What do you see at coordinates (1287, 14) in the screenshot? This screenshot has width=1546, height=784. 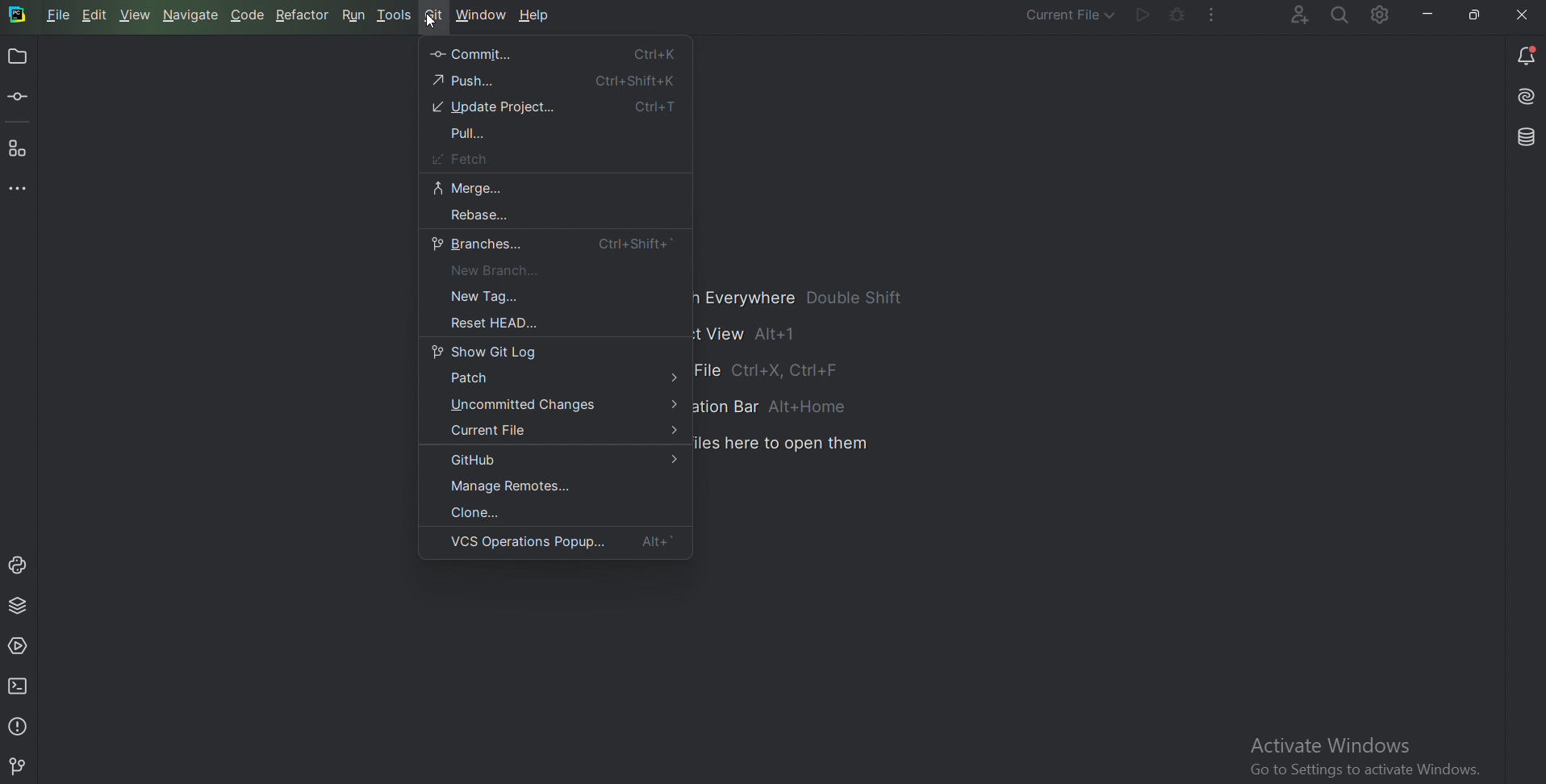 I see `Code with me` at bounding box center [1287, 14].